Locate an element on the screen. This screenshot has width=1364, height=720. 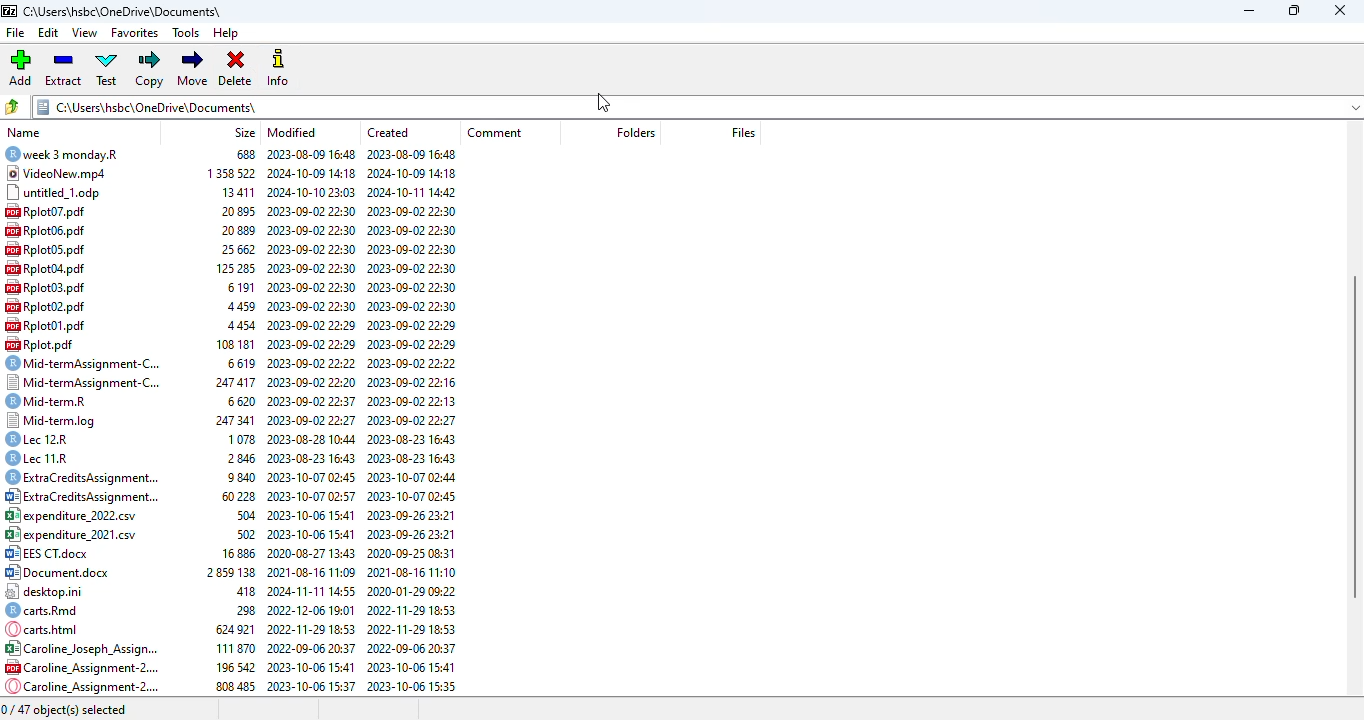
browse files is located at coordinates (14, 106).